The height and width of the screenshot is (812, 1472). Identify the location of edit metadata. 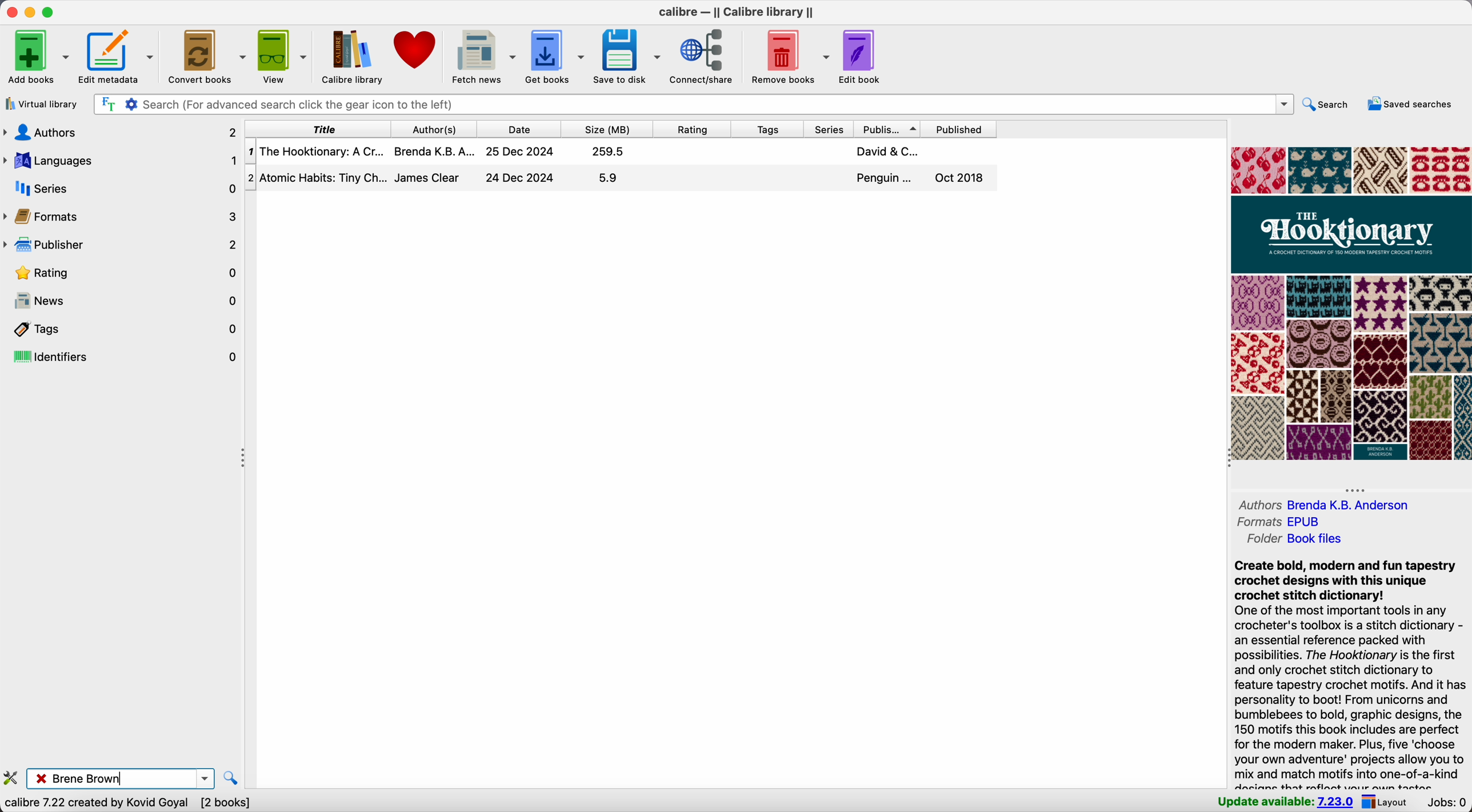
(121, 58).